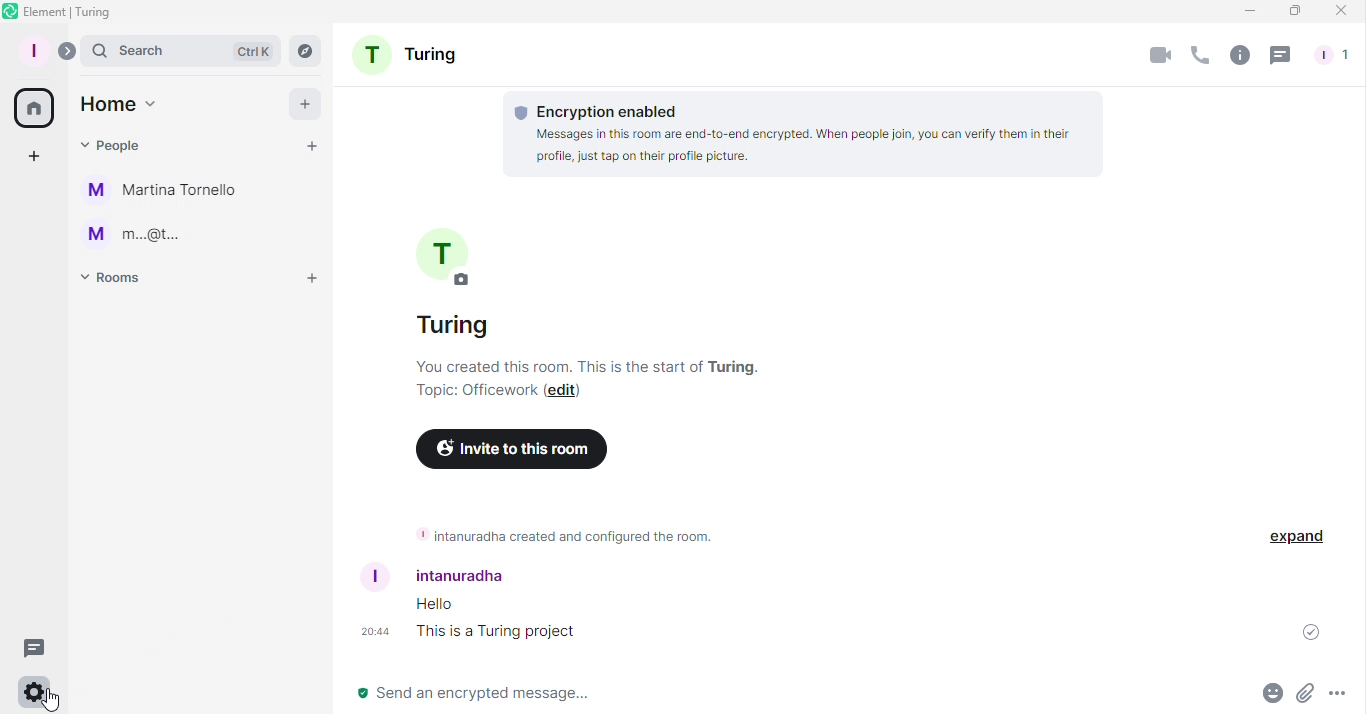  What do you see at coordinates (33, 157) in the screenshot?
I see `Create a space` at bounding box center [33, 157].